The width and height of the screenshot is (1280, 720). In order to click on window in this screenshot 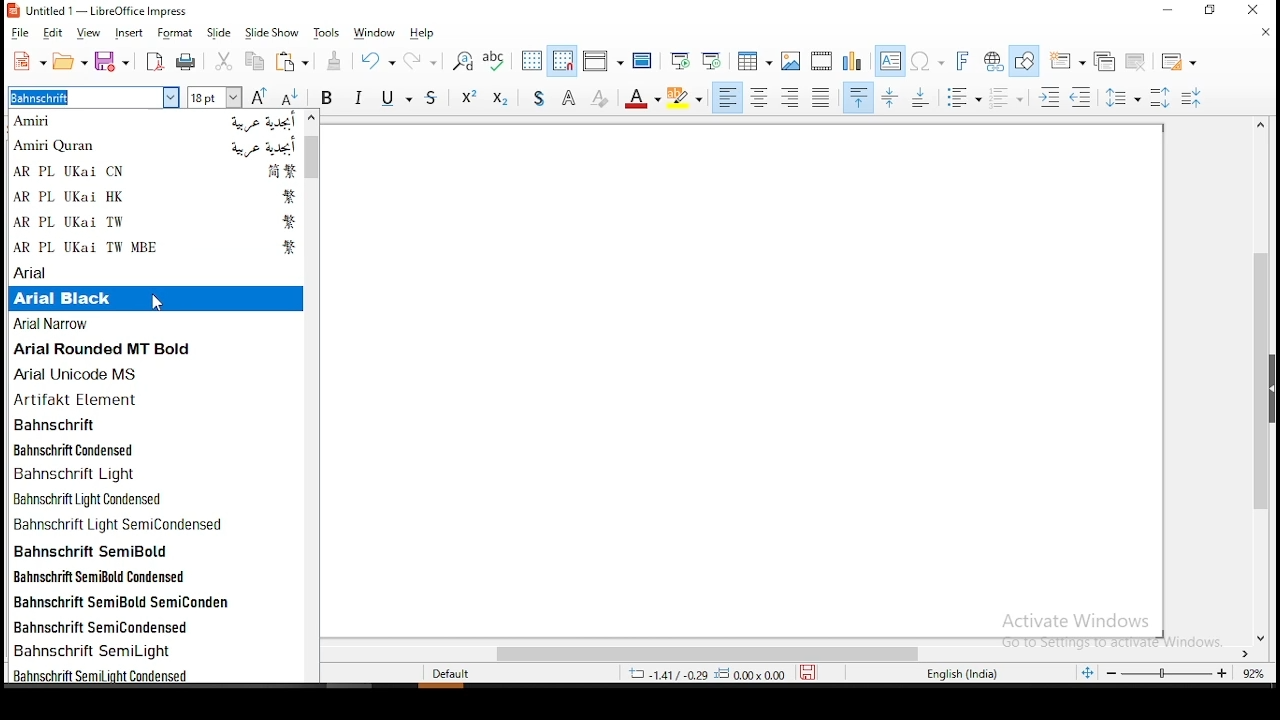, I will do `click(379, 31)`.